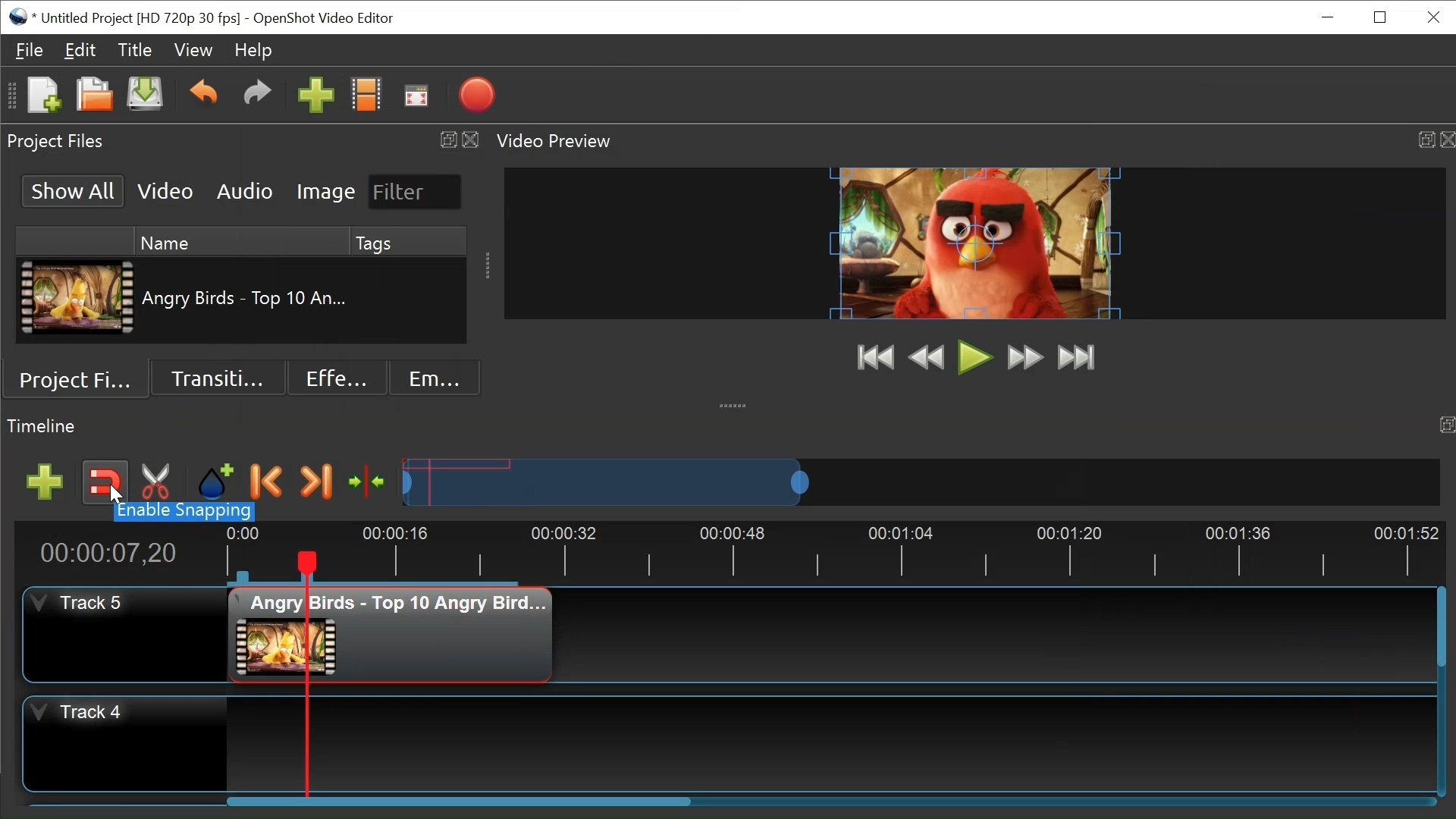 This screenshot has height=819, width=1456. Describe the element at coordinates (327, 18) in the screenshot. I see `OpenShot Video Editor` at that location.